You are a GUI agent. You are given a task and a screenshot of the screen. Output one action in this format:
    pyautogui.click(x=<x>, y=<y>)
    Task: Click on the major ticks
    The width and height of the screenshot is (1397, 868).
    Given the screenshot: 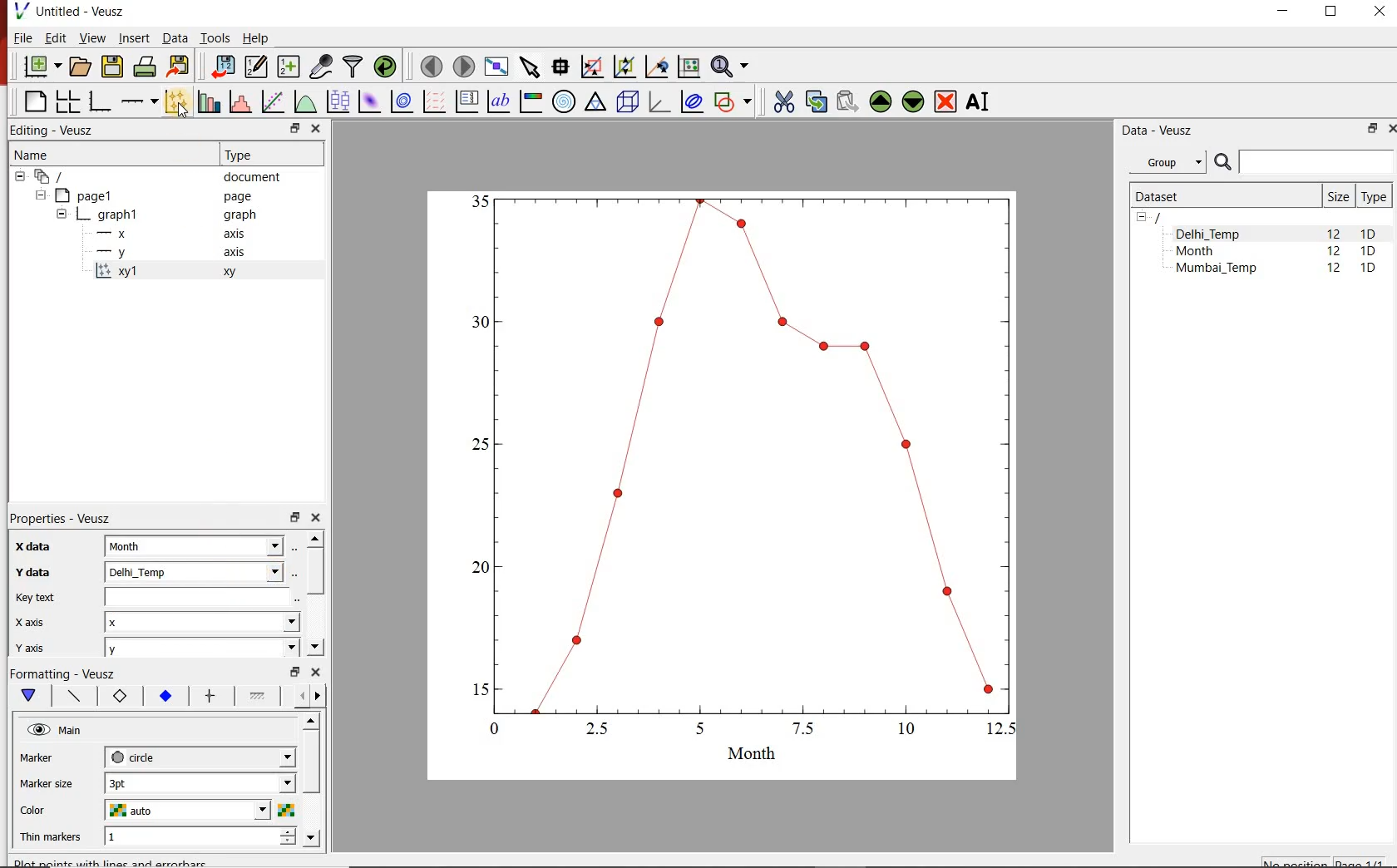 What is the action you would take?
    pyautogui.click(x=209, y=696)
    